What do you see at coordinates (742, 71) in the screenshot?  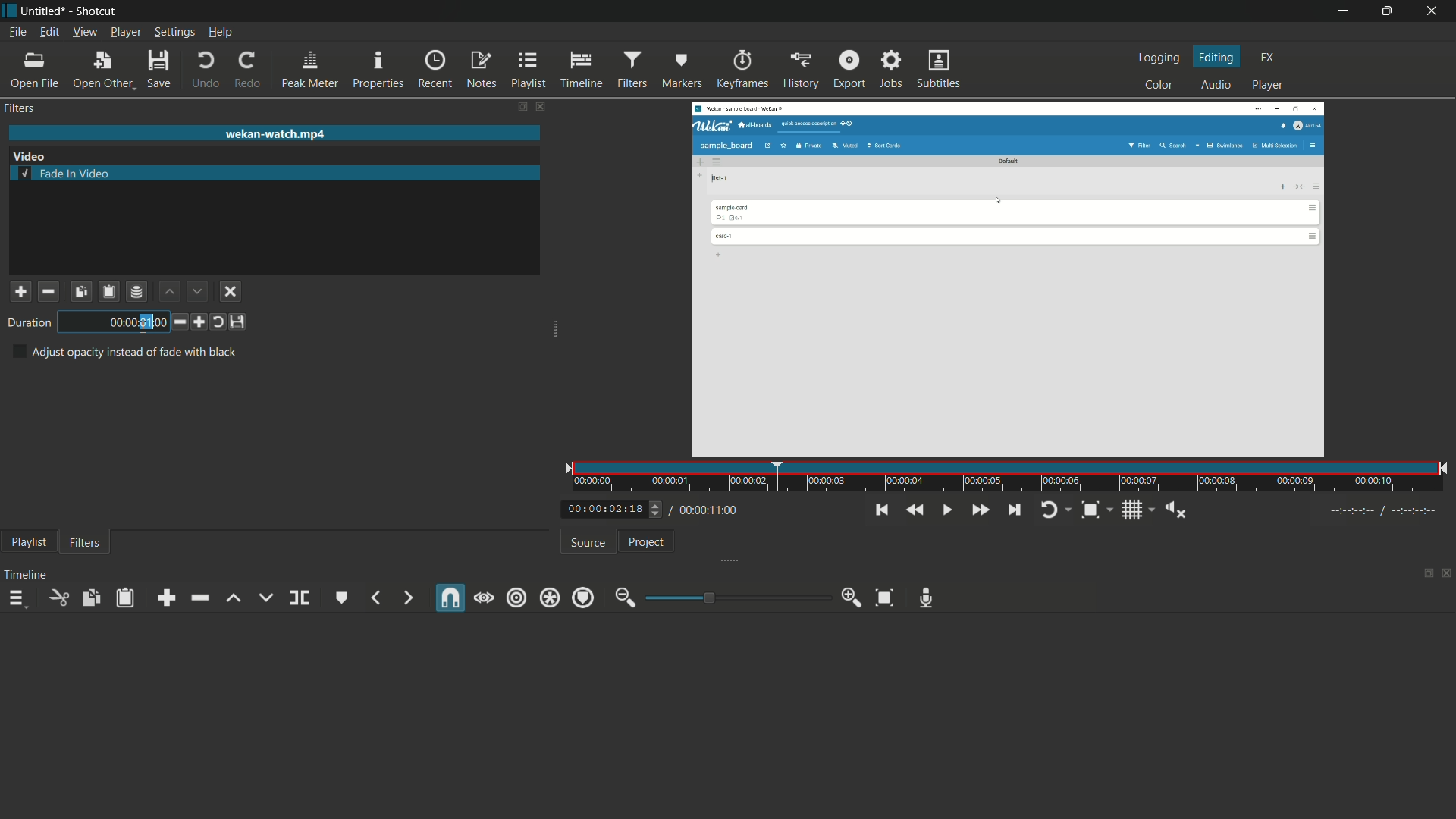 I see `keyframes` at bounding box center [742, 71].